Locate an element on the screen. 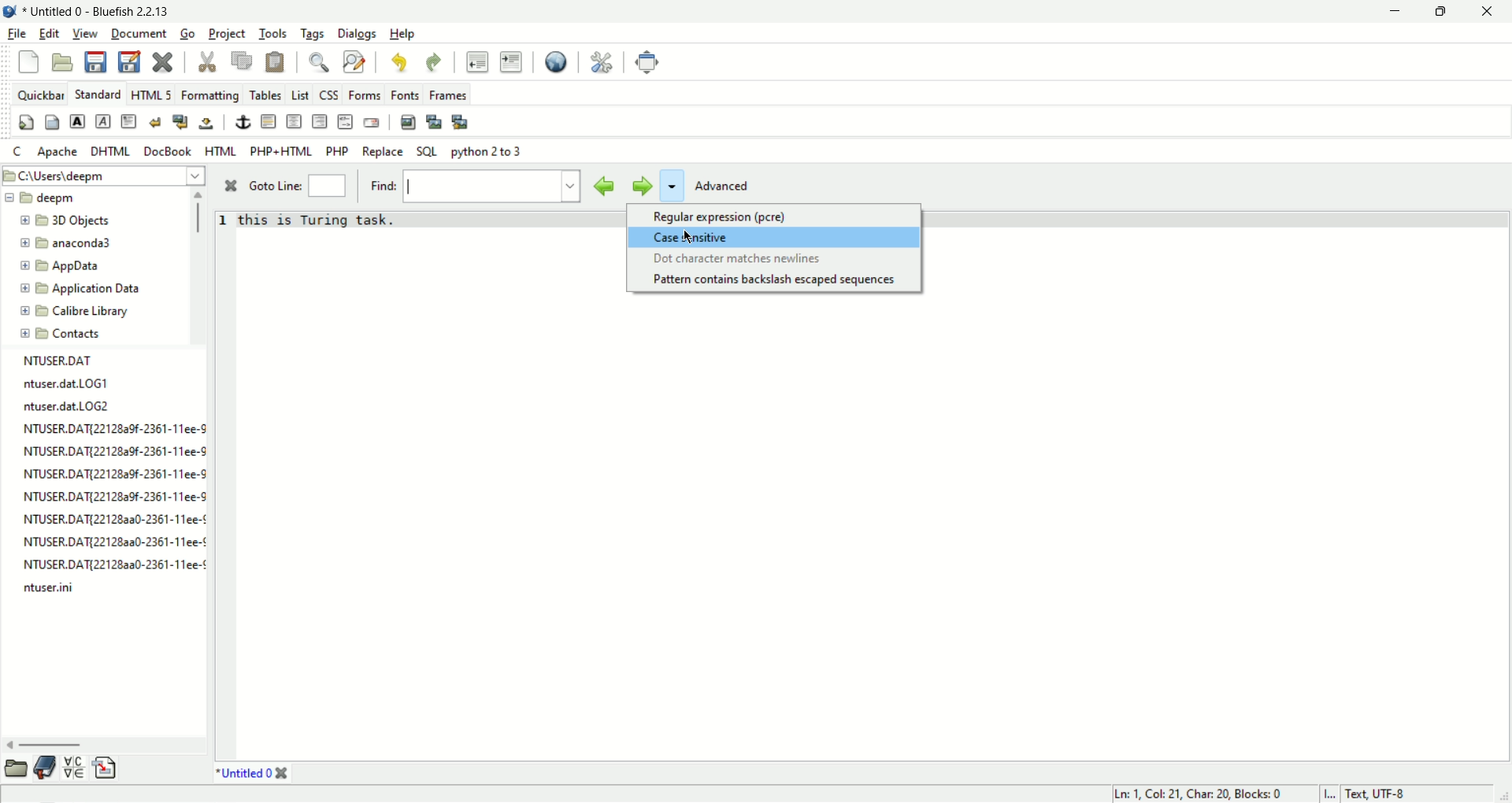 Image resolution: width=1512 pixels, height=803 pixels. case sensitive is located at coordinates (731, 238).